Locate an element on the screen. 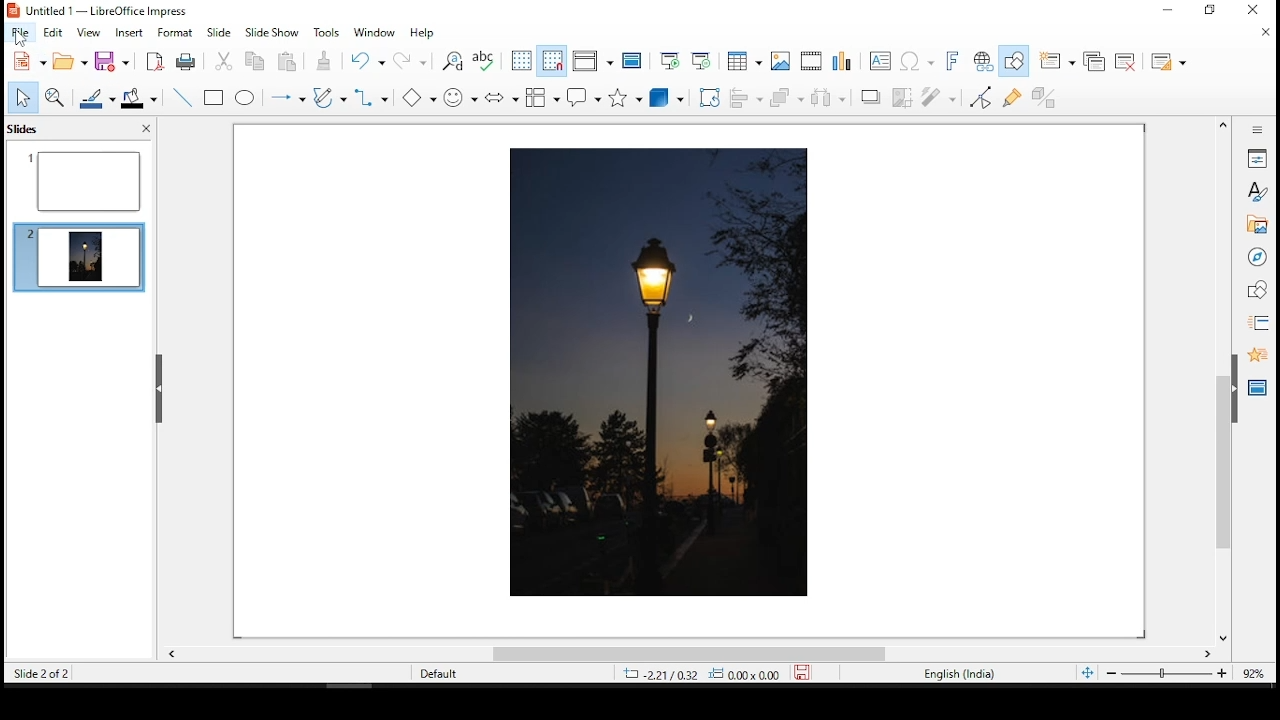 This screenshot has height=720, width=1280. slide transition is located at coordinates (1261, 324).